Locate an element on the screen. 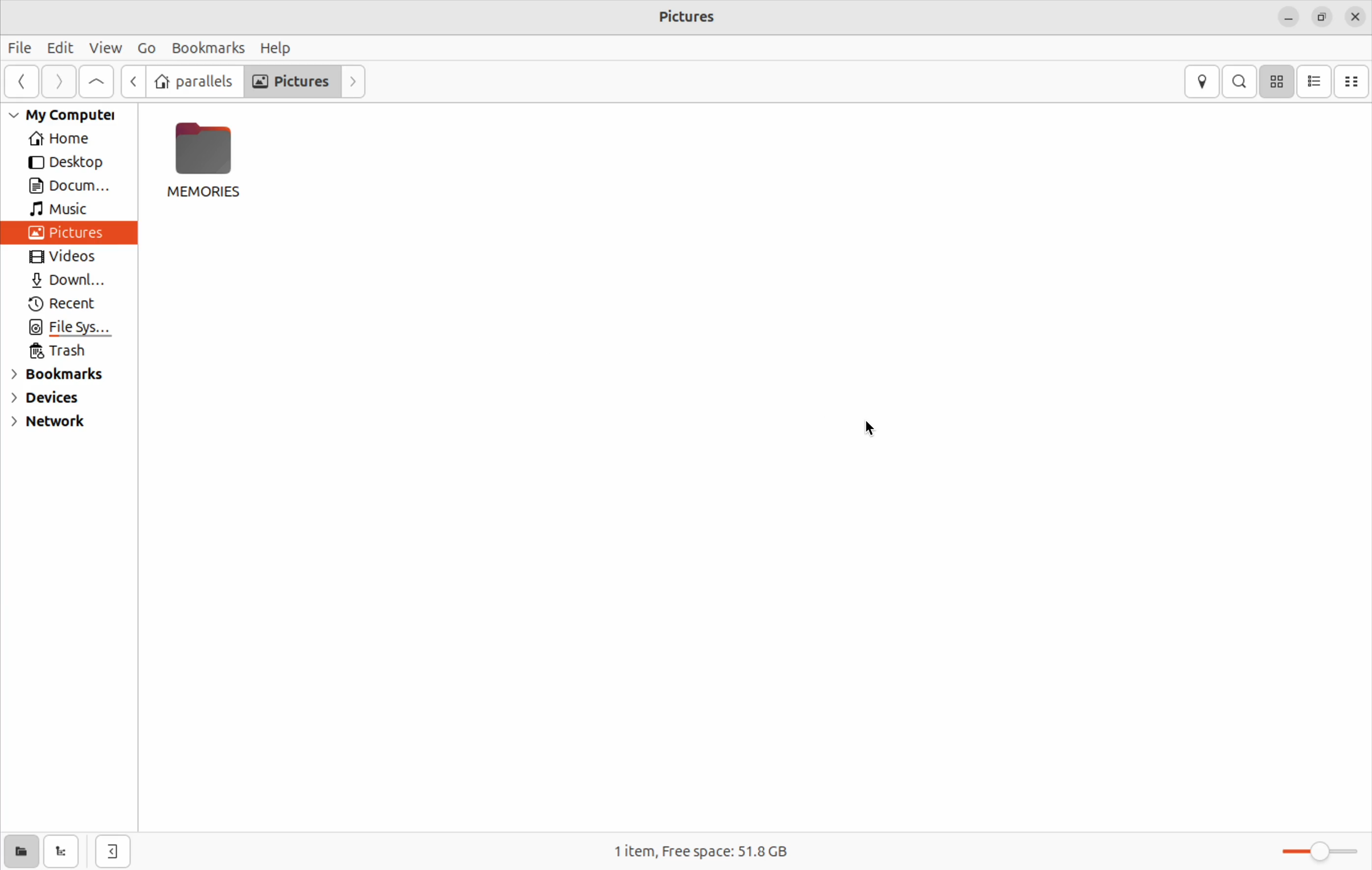  Trash is located at coordinates (60, 351).